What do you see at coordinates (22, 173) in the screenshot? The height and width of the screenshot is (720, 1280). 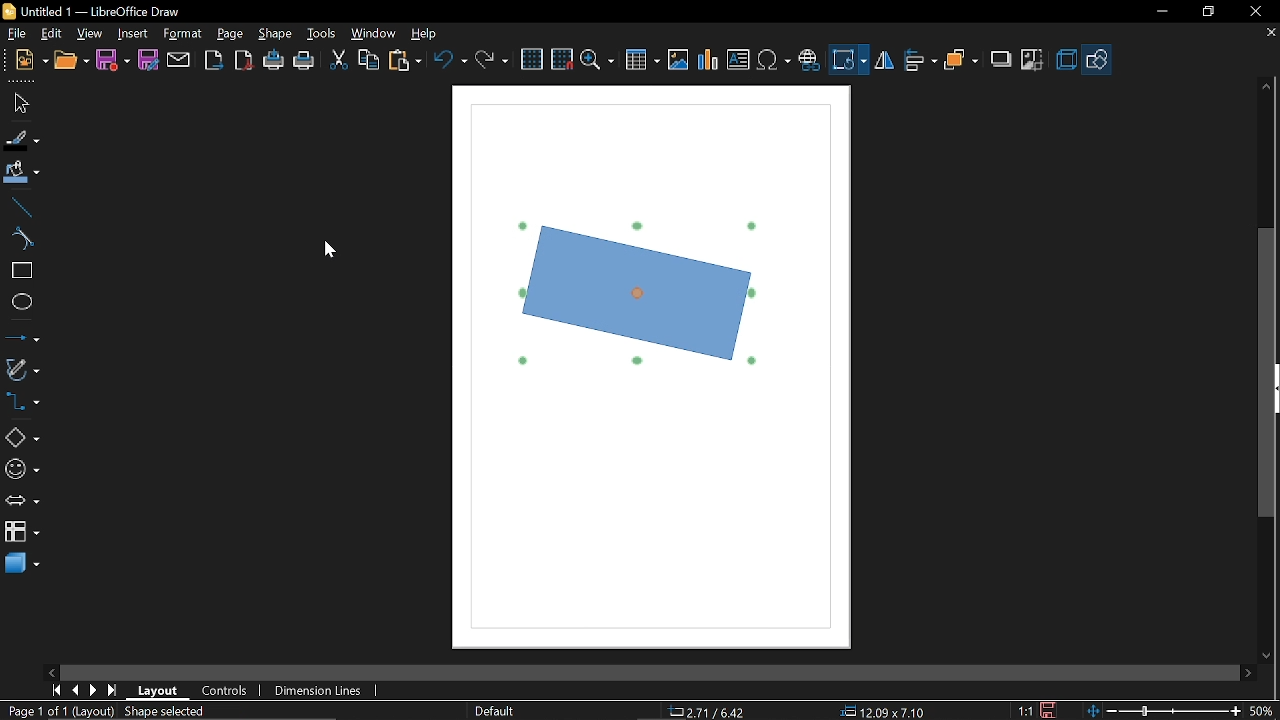 I see `Fill color` at bounding box center [22, 173].